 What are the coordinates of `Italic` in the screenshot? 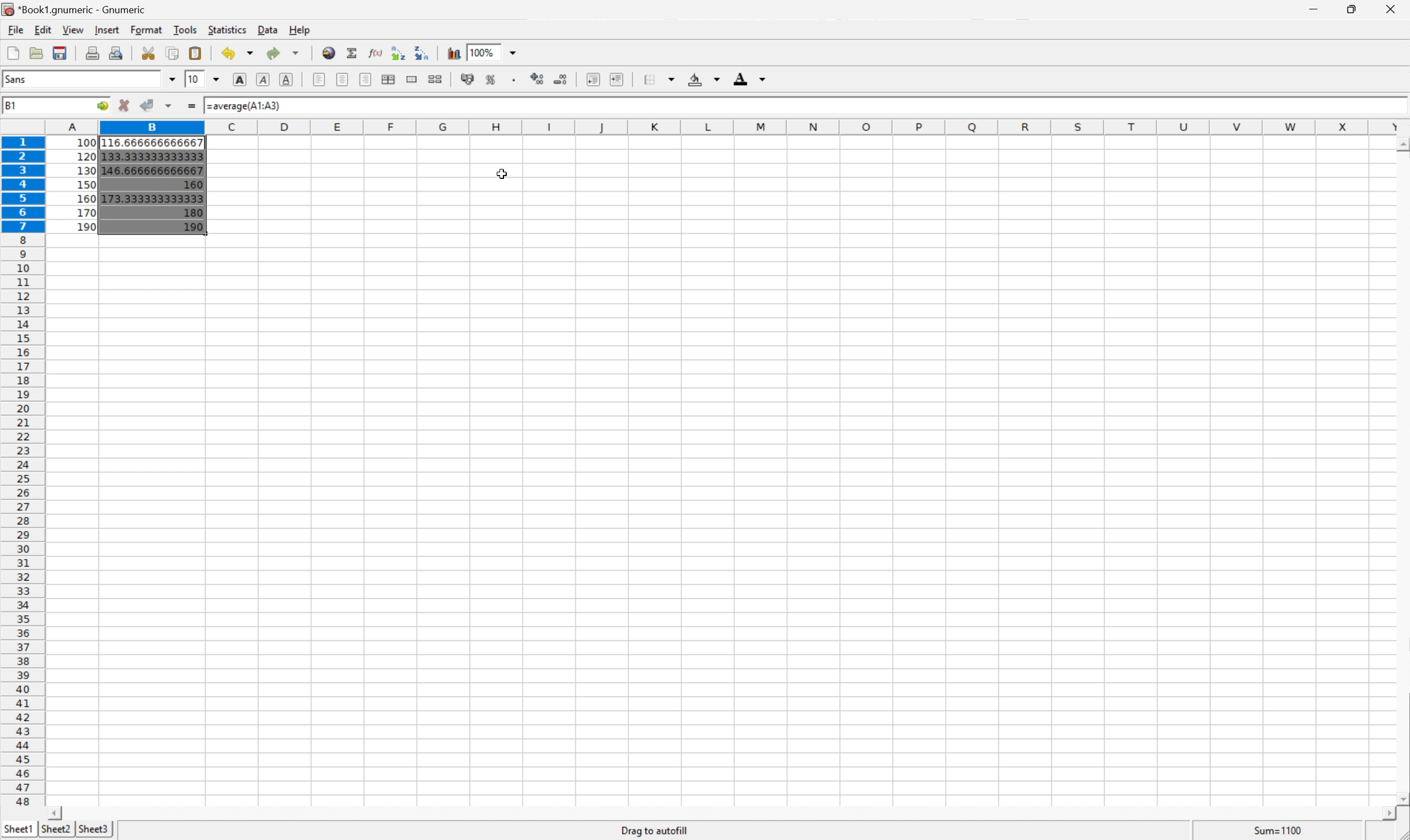 It's located at (262, 80).